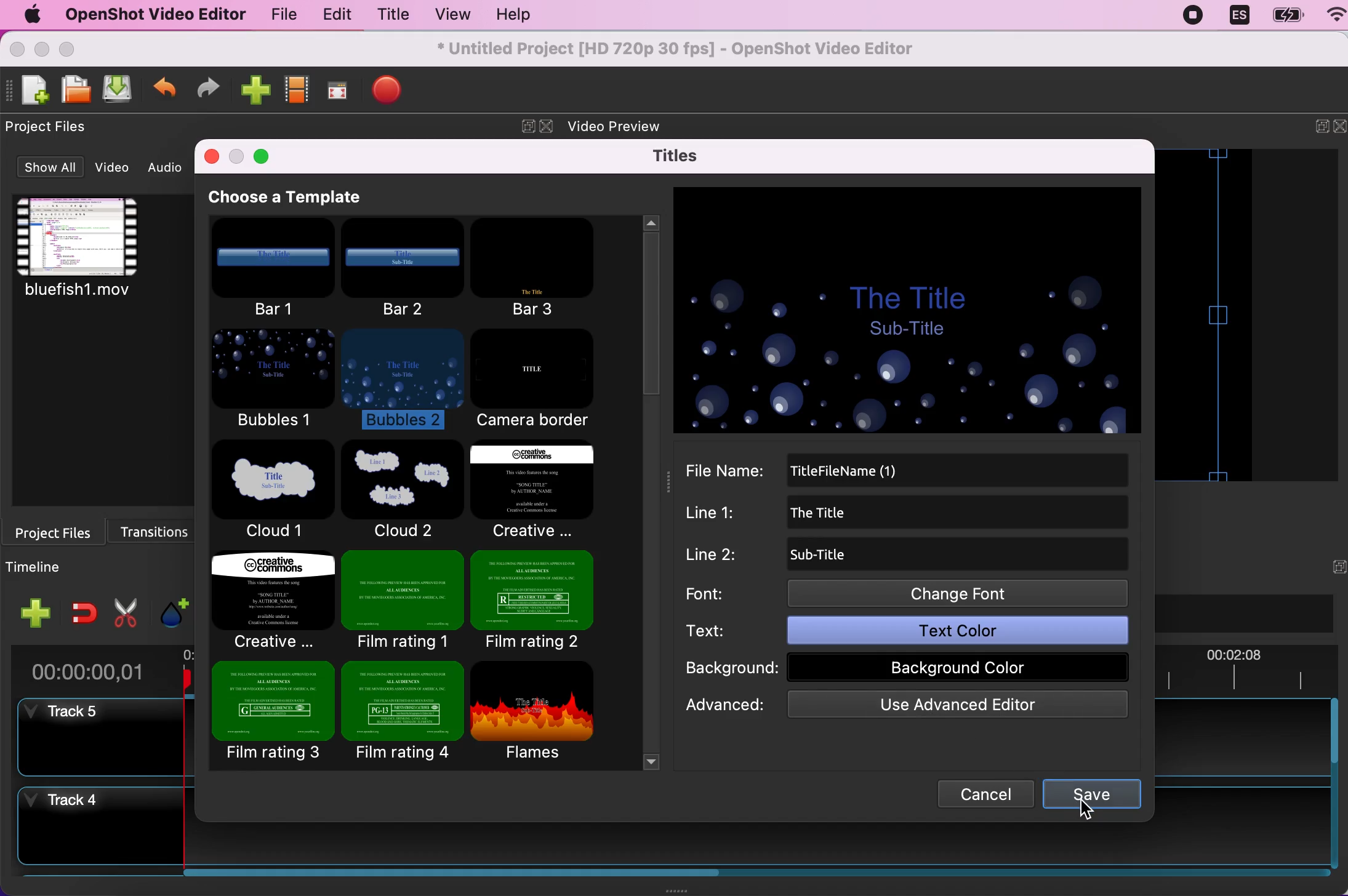 This screenshot has height=896, width=1348. Describe the element at coordinates (696, 47) in the screenshot. I see `* untitled project [hd 720p 30 fps] - openshot video editor` at that location.